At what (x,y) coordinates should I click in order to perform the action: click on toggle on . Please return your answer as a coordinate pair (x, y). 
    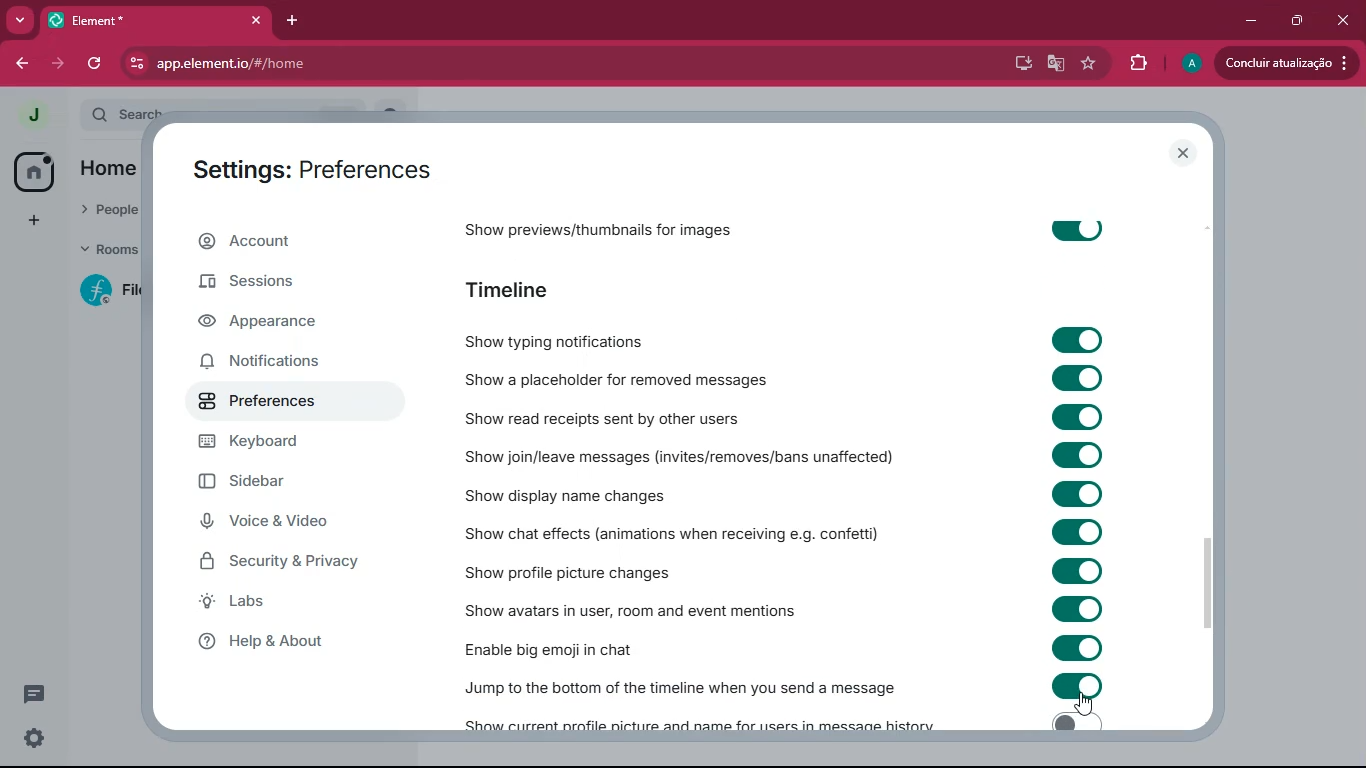
    Looking at the image, I should click on (1073, 376).